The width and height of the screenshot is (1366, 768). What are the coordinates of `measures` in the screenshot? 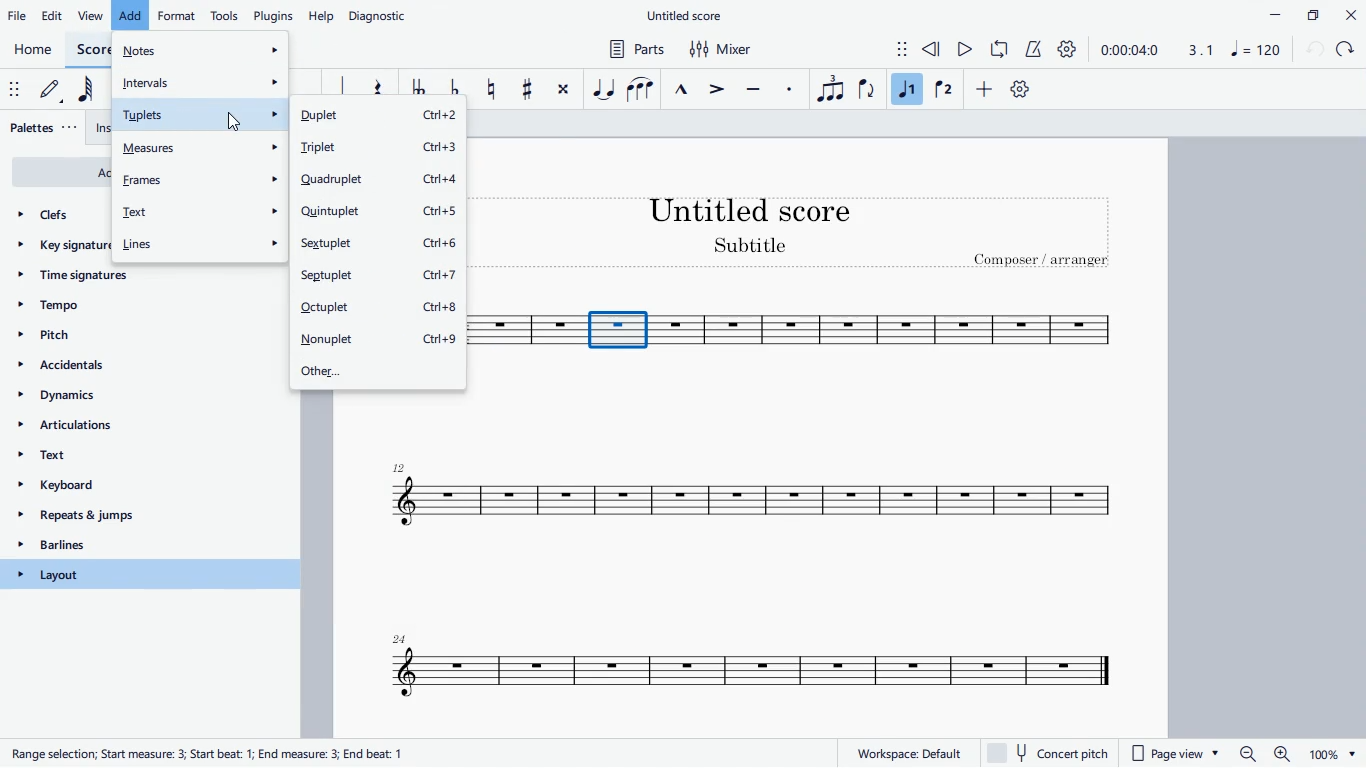 It's located at (200, 147).